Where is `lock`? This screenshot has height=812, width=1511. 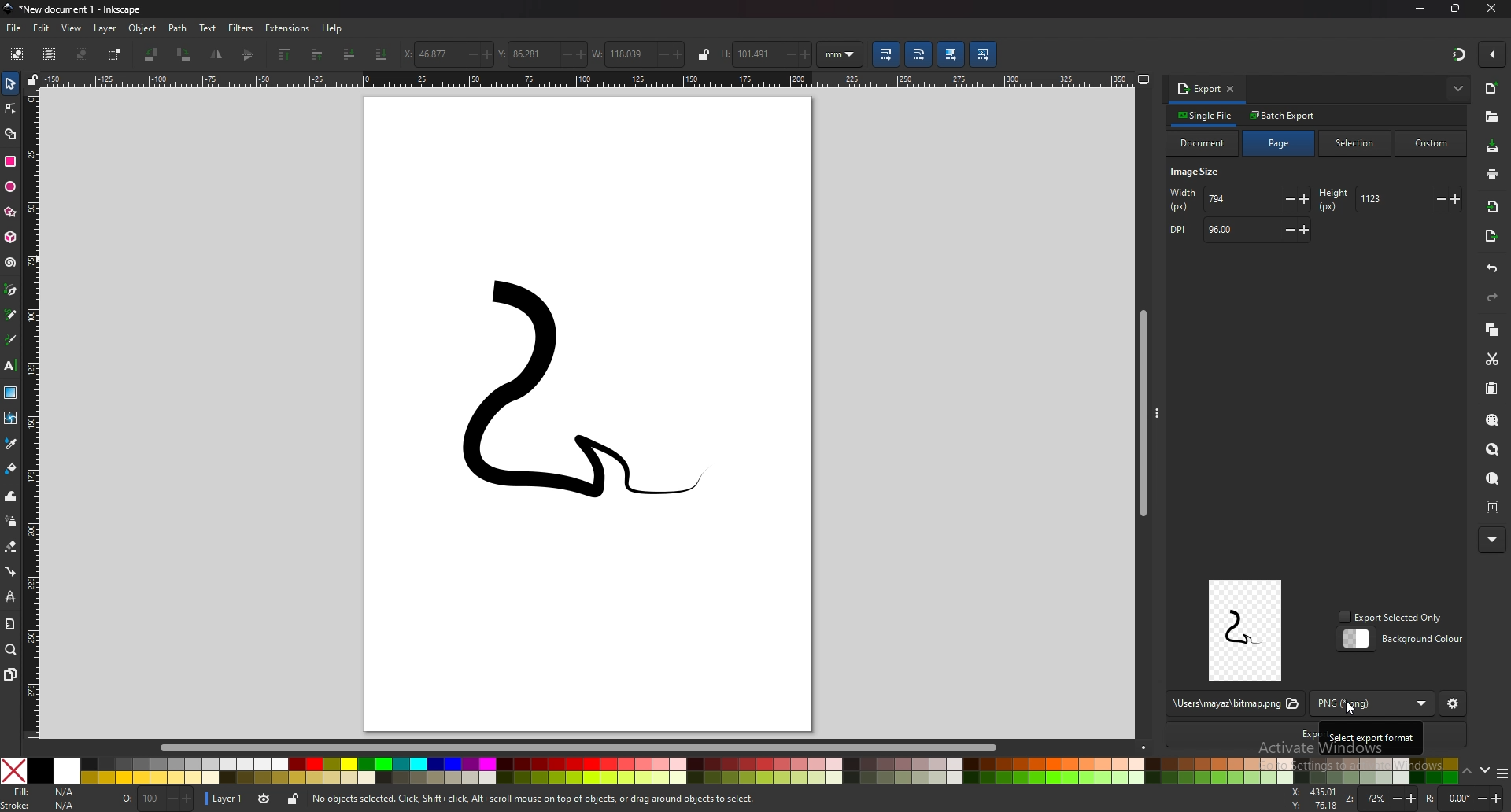
lock is located at coordinates (293, 799).